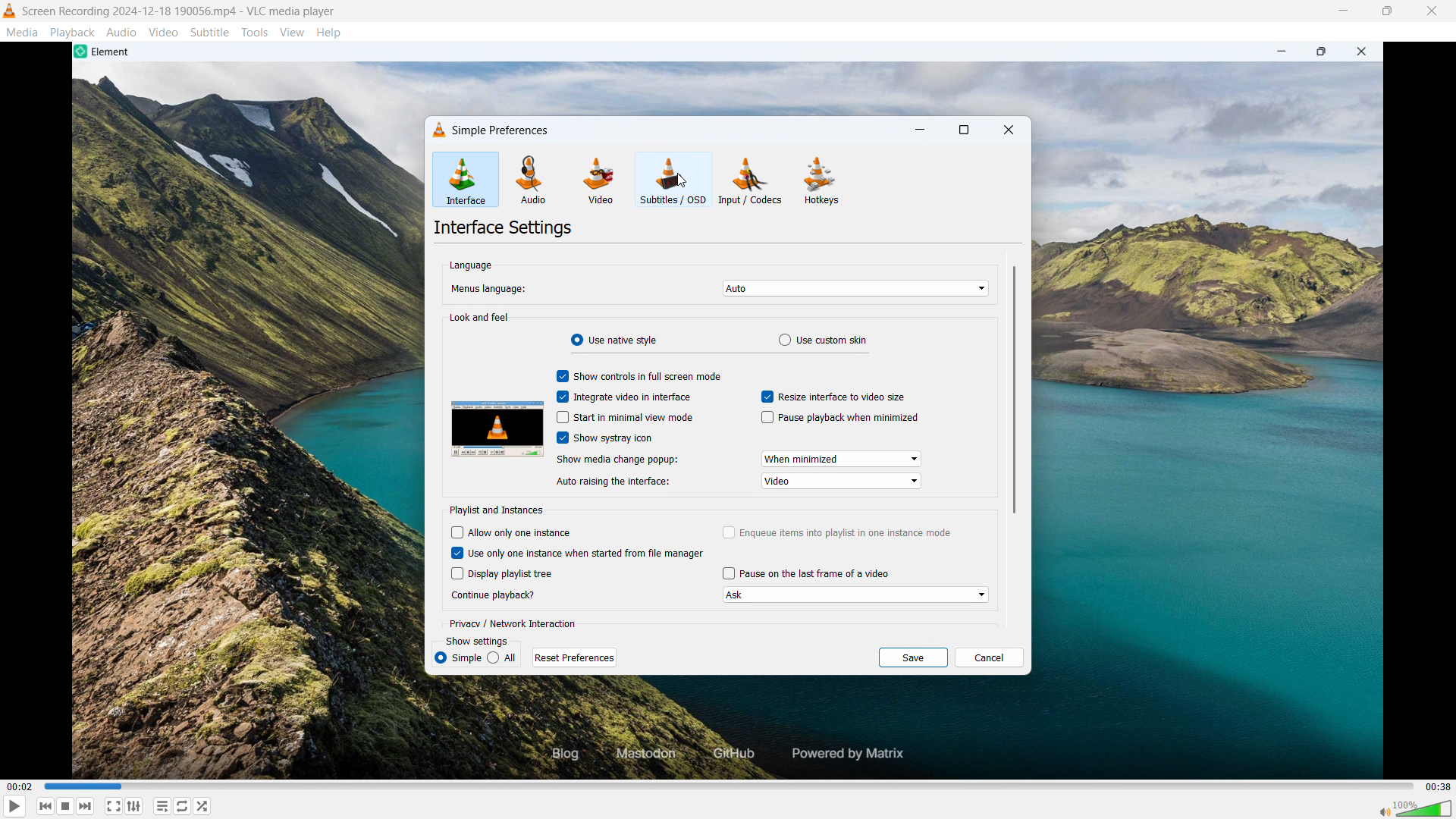  Describe the element at coordinates (921, 130) in the screenshot. I see `minimize` at that location.